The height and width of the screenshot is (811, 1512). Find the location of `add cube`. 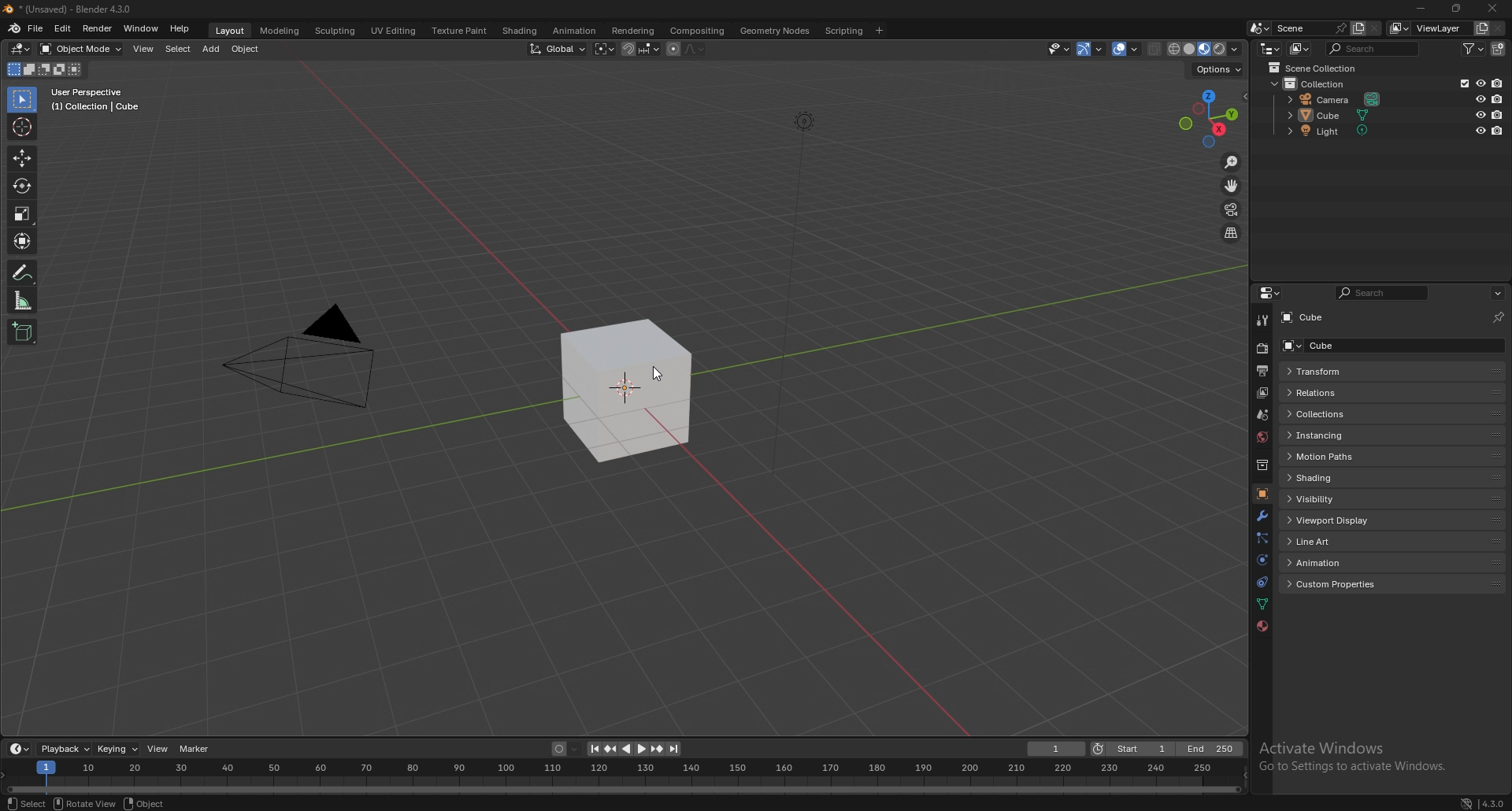

add cube is located at coordinates (21, 332).